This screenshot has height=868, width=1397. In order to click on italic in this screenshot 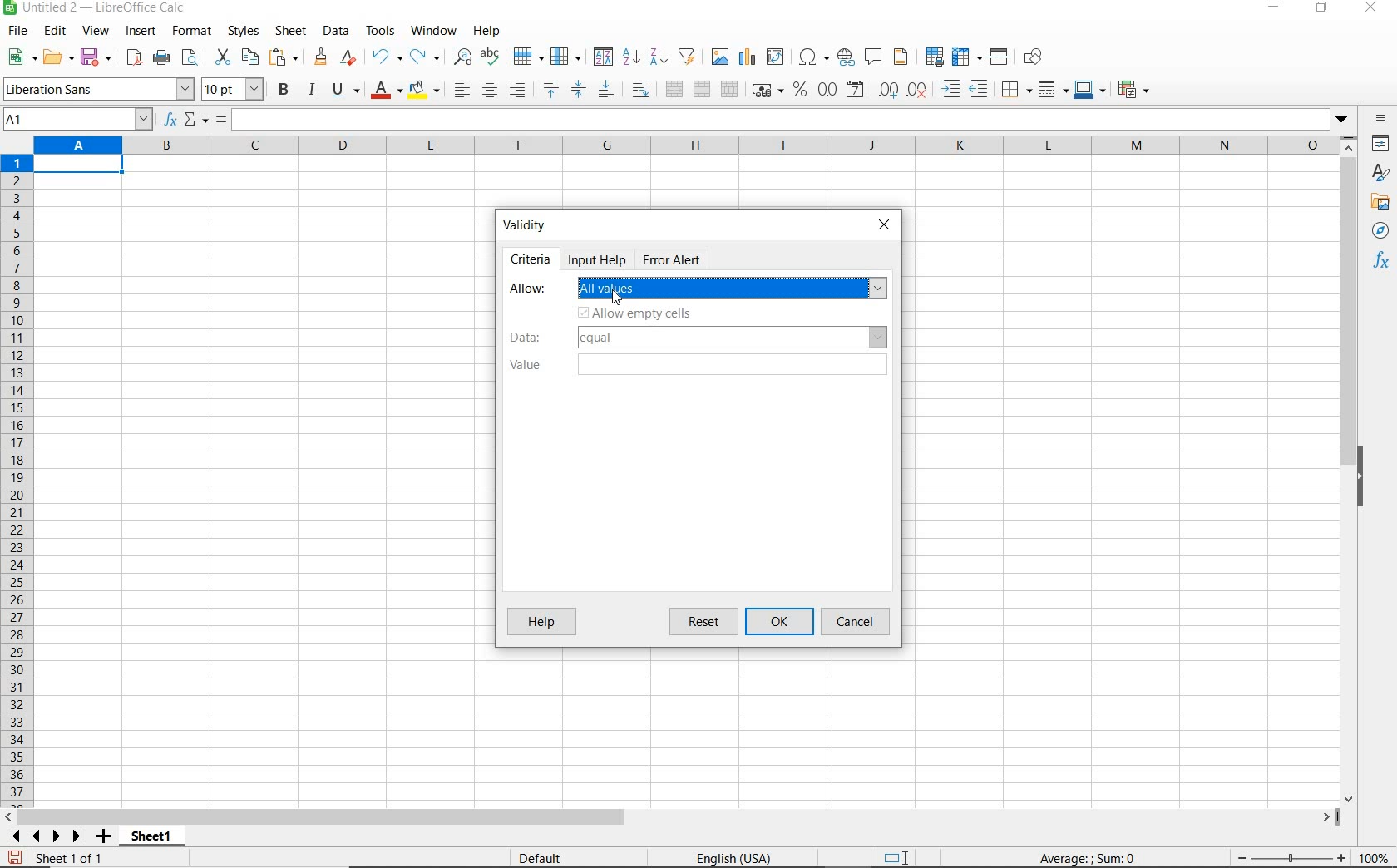, I will do `click(311, 90)`.